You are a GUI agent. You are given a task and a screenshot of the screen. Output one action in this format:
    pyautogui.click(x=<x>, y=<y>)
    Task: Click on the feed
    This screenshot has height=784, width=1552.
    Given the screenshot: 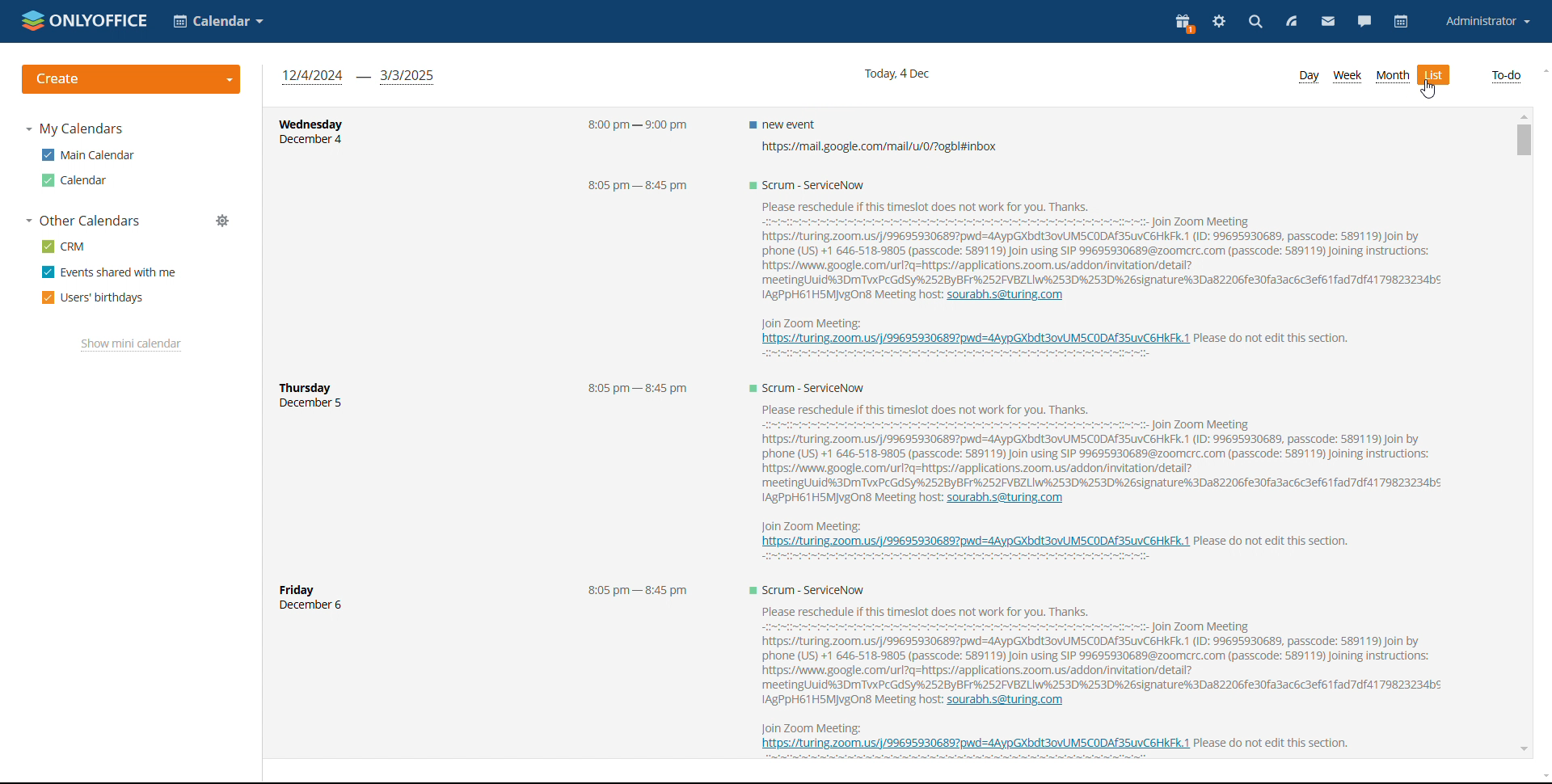 What is the action you would take?
    pyautogui.click(x=1293, y=23)
    